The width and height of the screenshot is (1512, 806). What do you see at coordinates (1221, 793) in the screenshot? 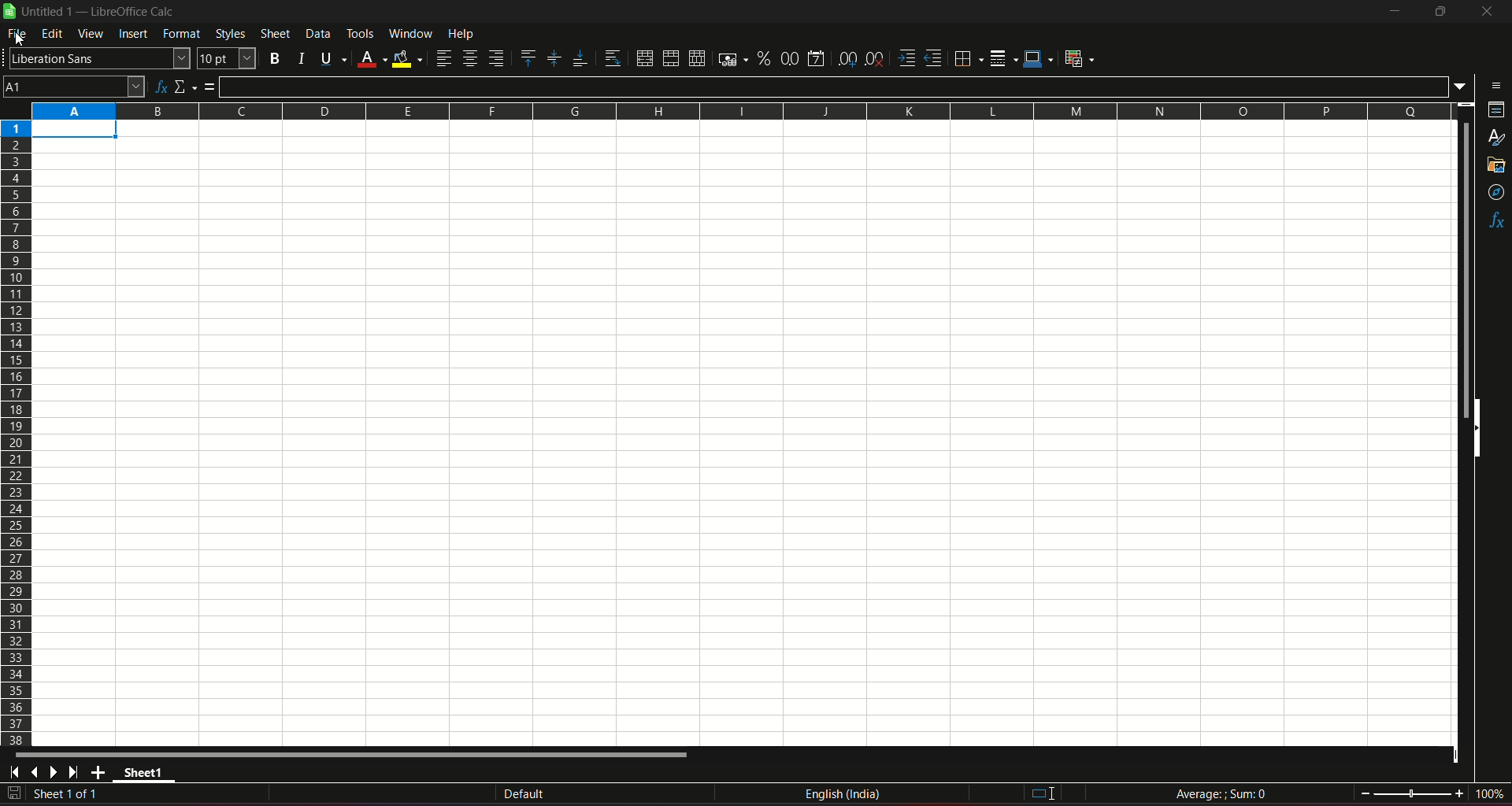
I see `formula` at bounding box center [1221, 793].